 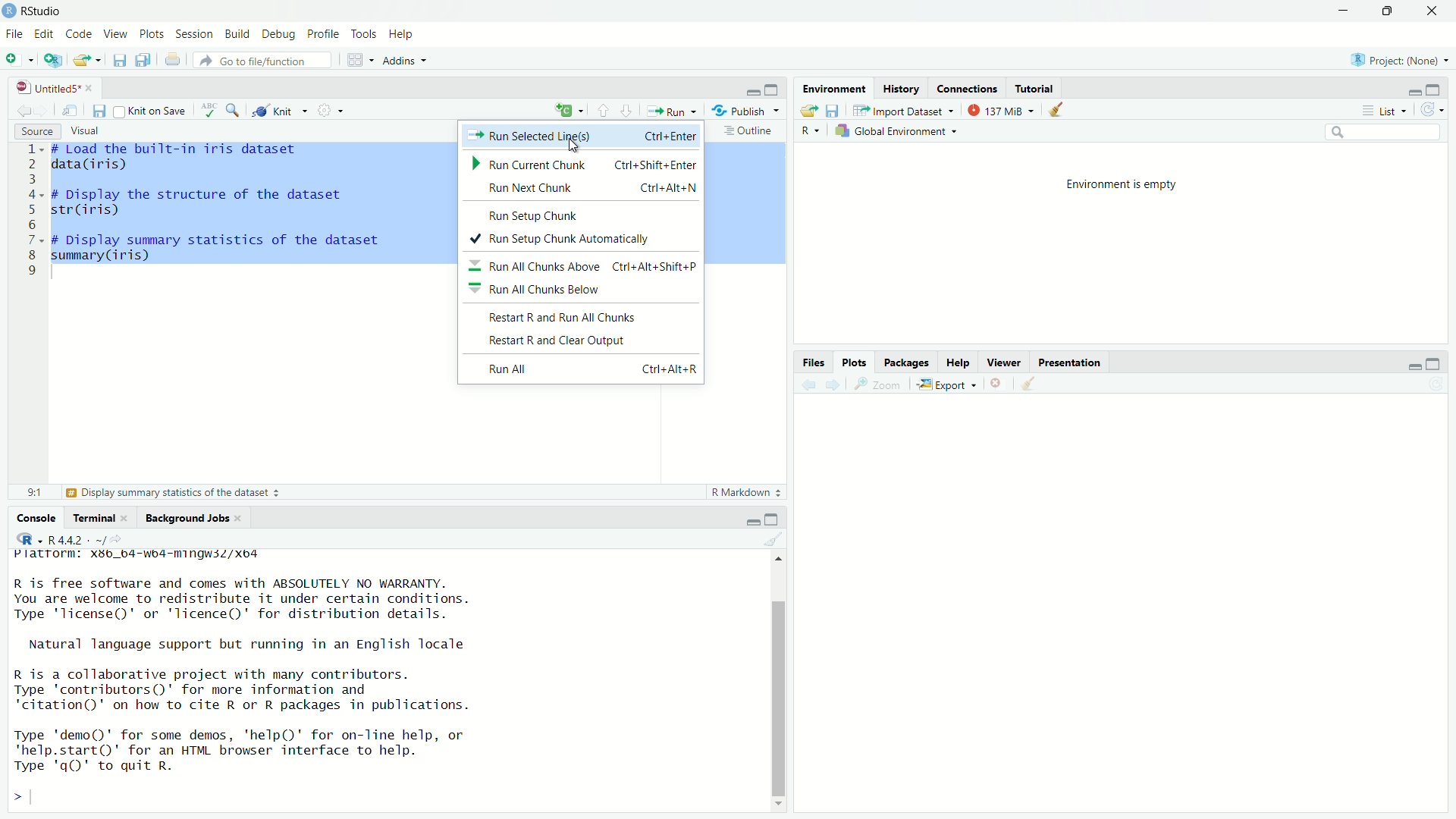 What do you see at coordinates (229, 204) in the screenshot?
I see `# Load the built-in iris datasetdata(iris)# Display the structure of the datasetstr(iris)# Display summary statistics of the datasetsummary (iris)` at bounding box center [229, 204].